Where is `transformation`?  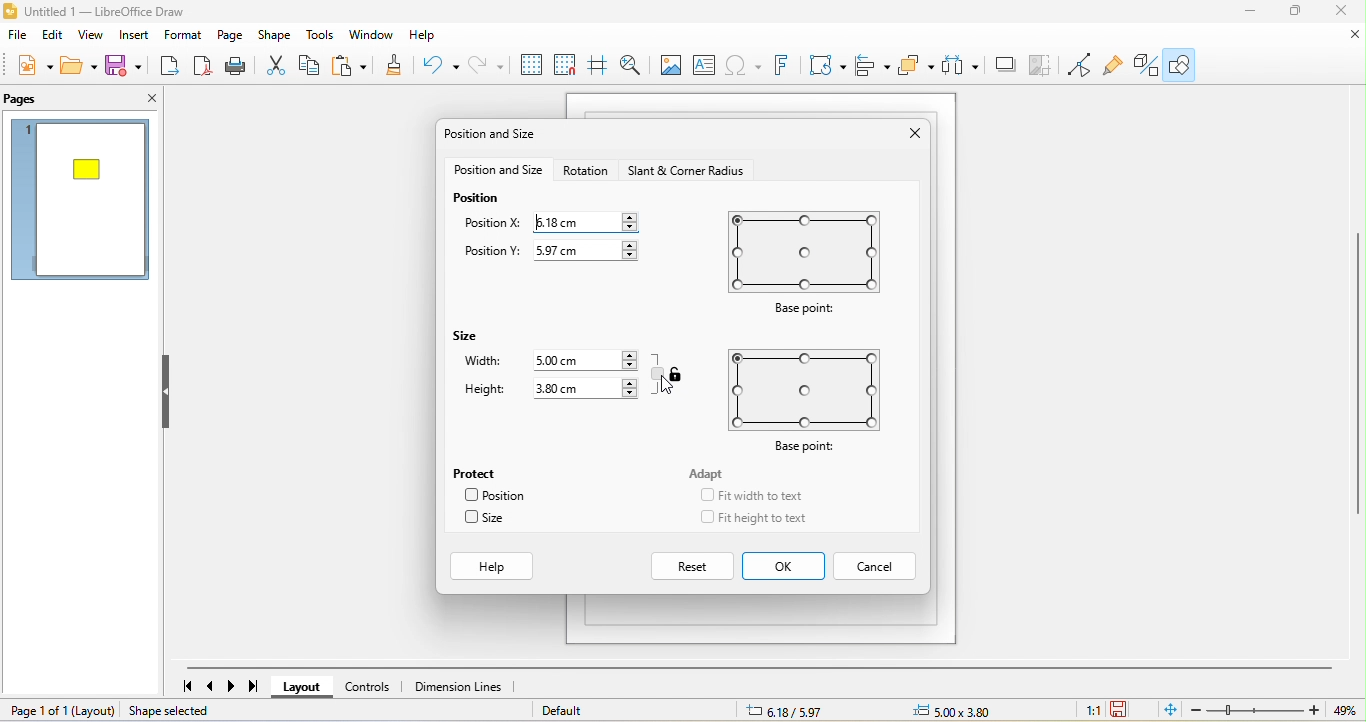
transformation is located at coordinates (824, 64).